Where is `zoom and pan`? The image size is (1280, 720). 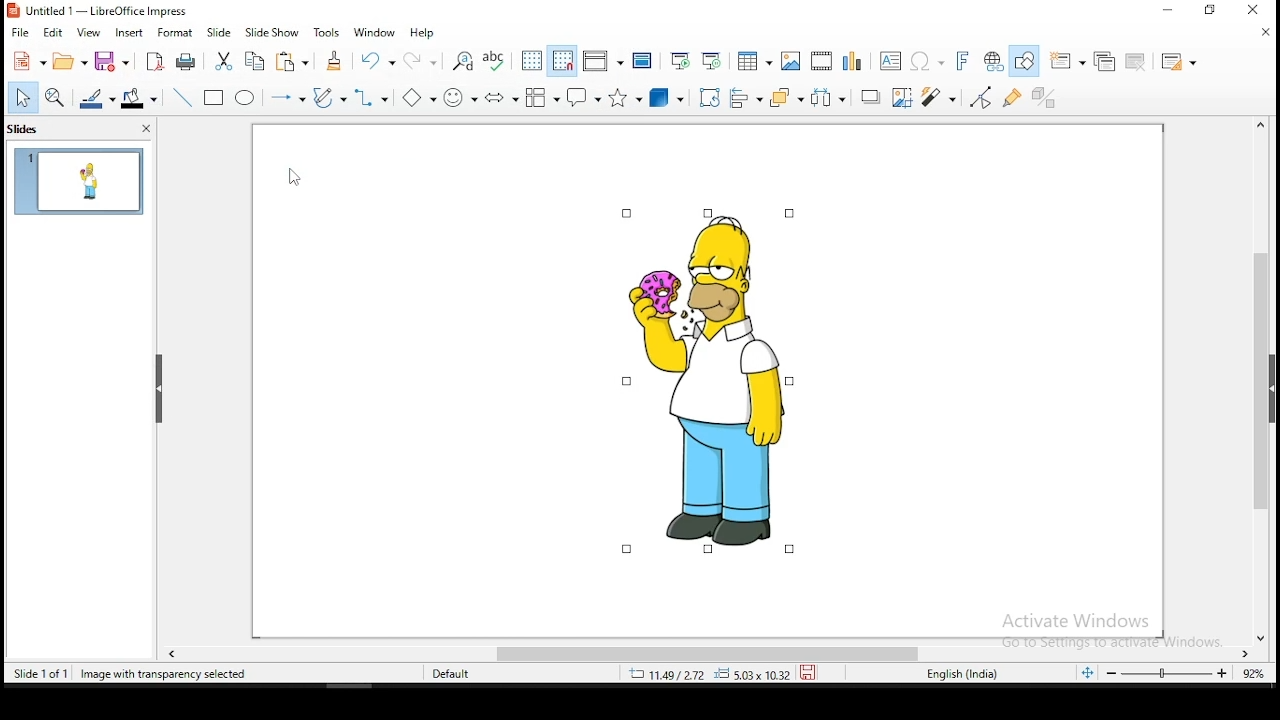 zoom and pan is located at coordinates (56, 98).